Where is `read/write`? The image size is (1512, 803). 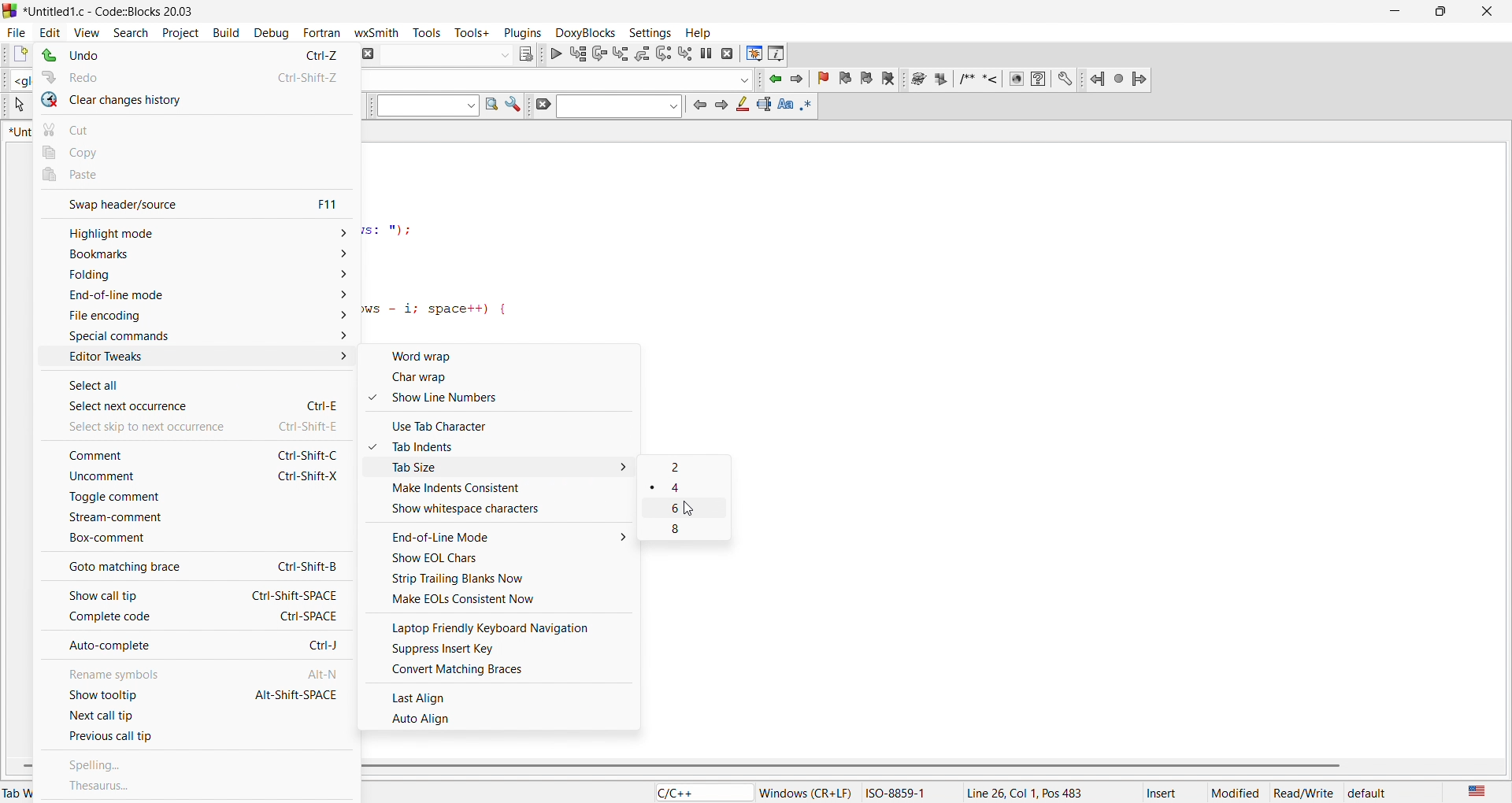 read/write is located at coordinates (1306, 791).